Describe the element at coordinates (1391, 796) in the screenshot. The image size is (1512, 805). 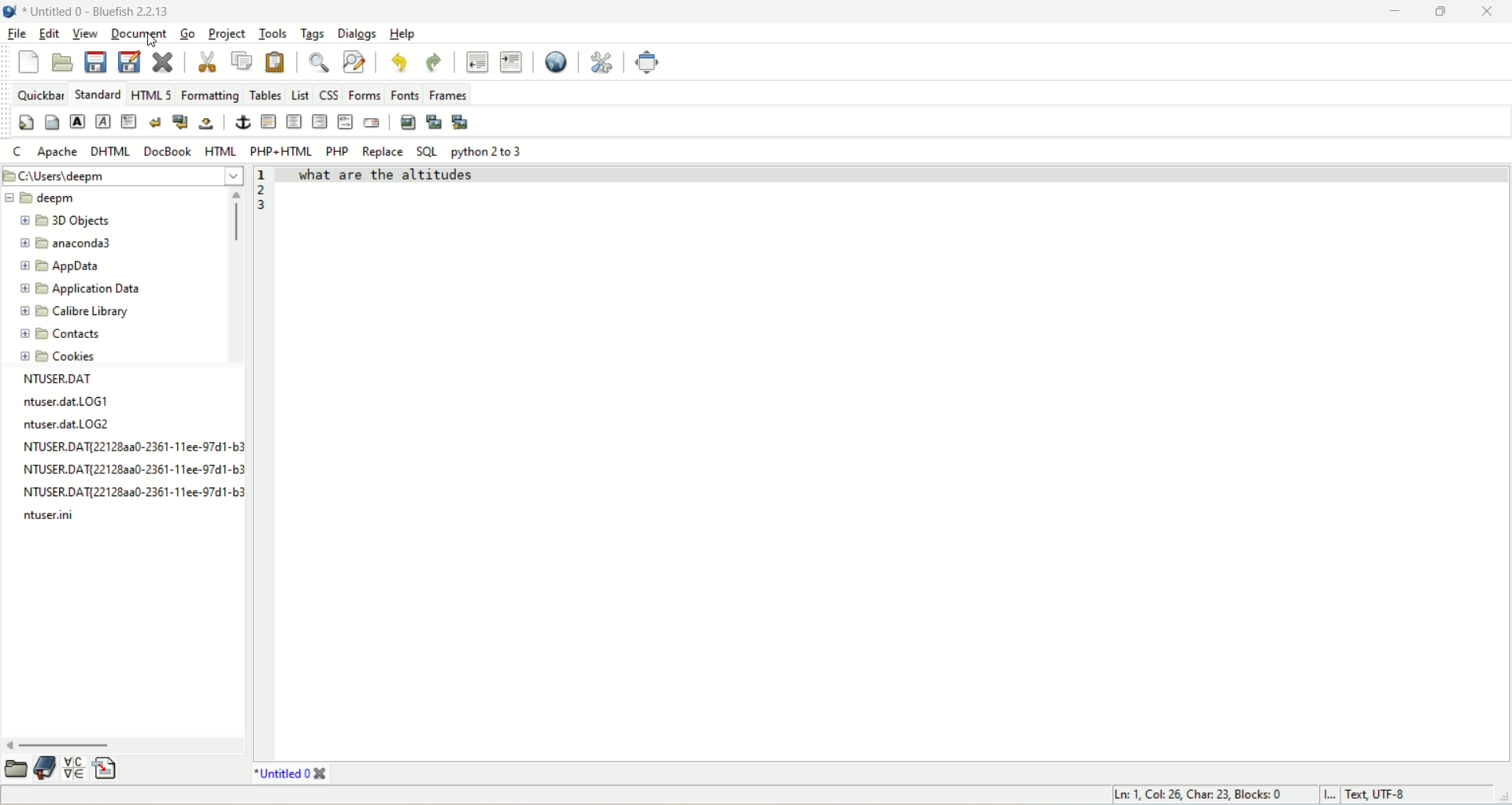
I see `text, UTF-8` at that location.